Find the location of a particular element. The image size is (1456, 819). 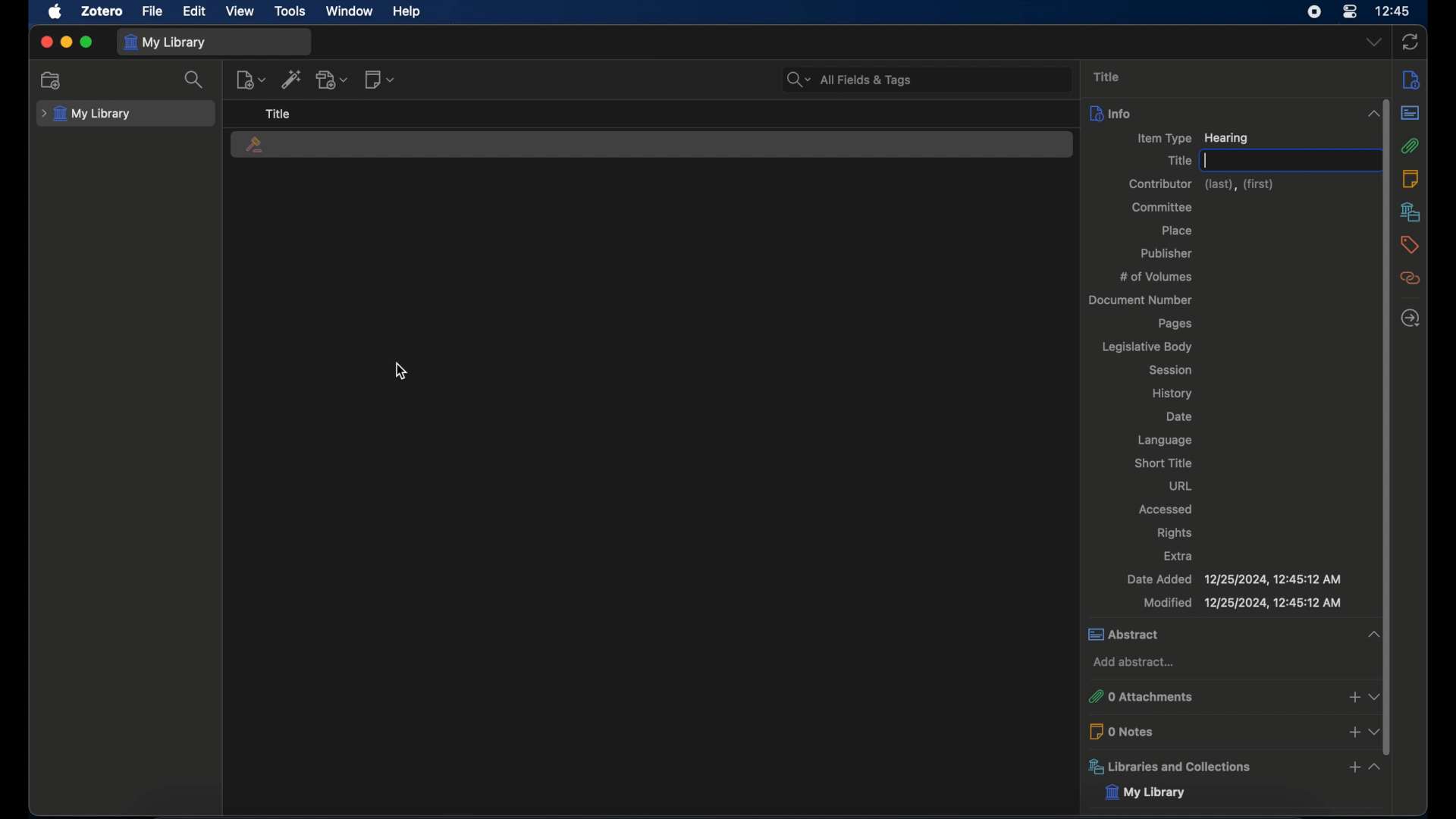

edit is located at coordinates (196, 11).